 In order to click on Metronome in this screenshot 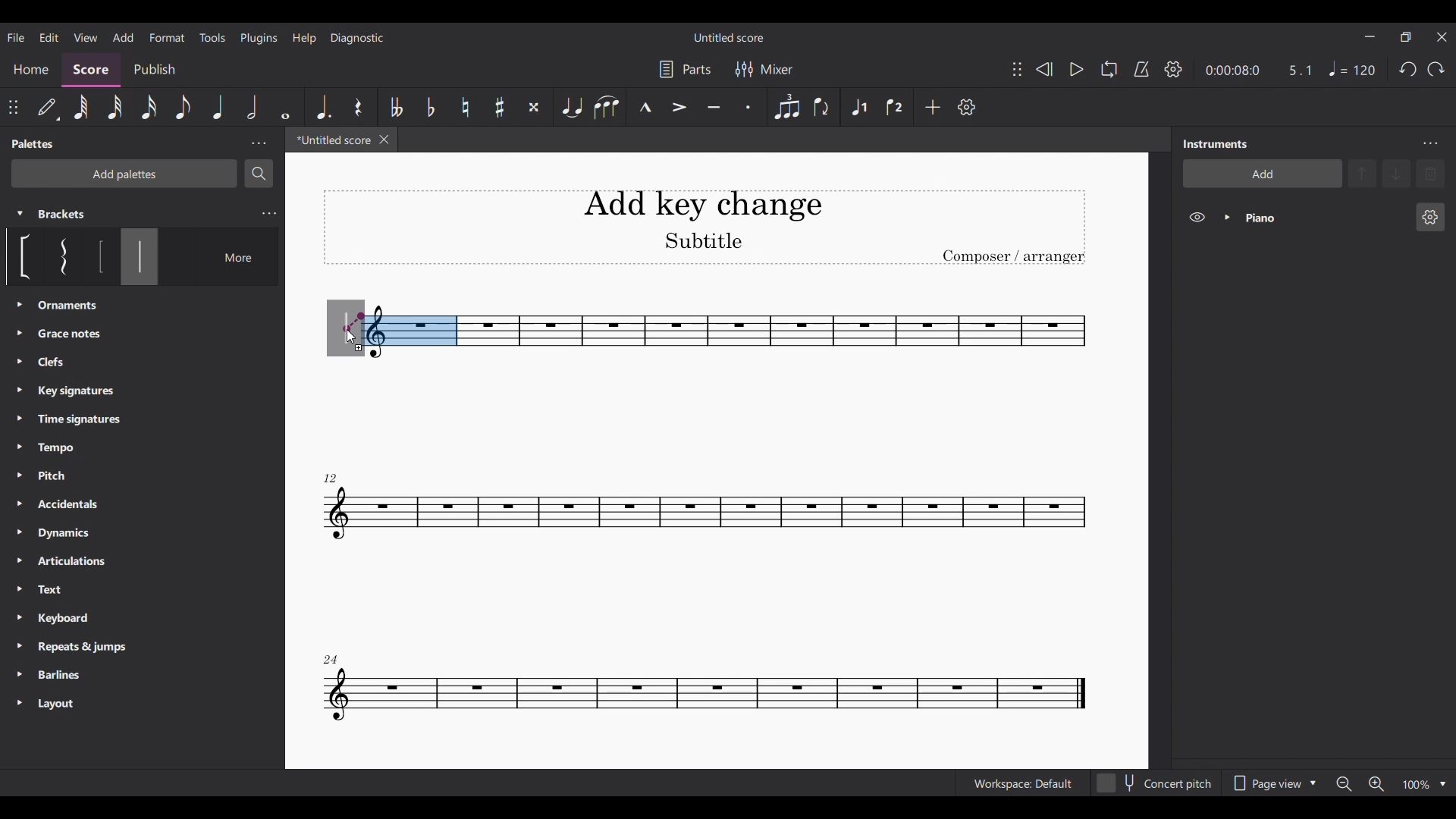, I will do `click(1141, 69)`.